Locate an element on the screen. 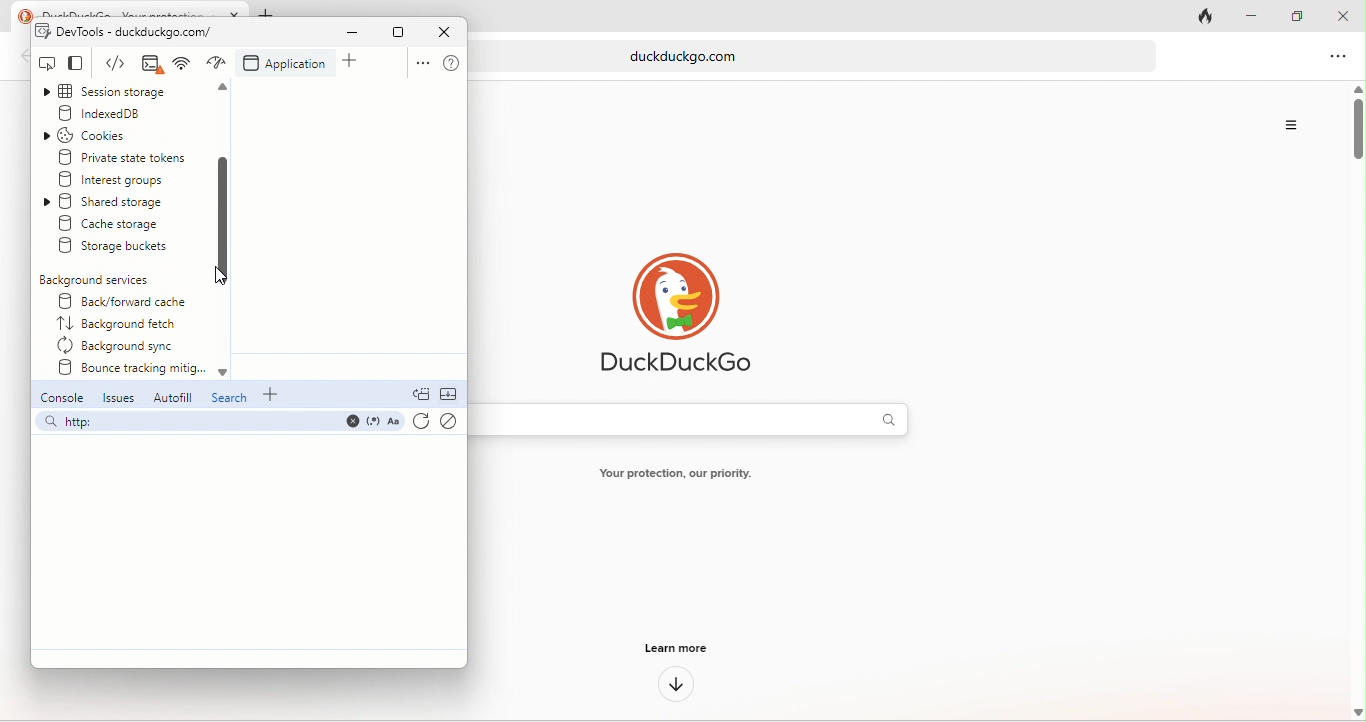 The image size is (1366, 722). shared storage is located at coordinates (124, 200).